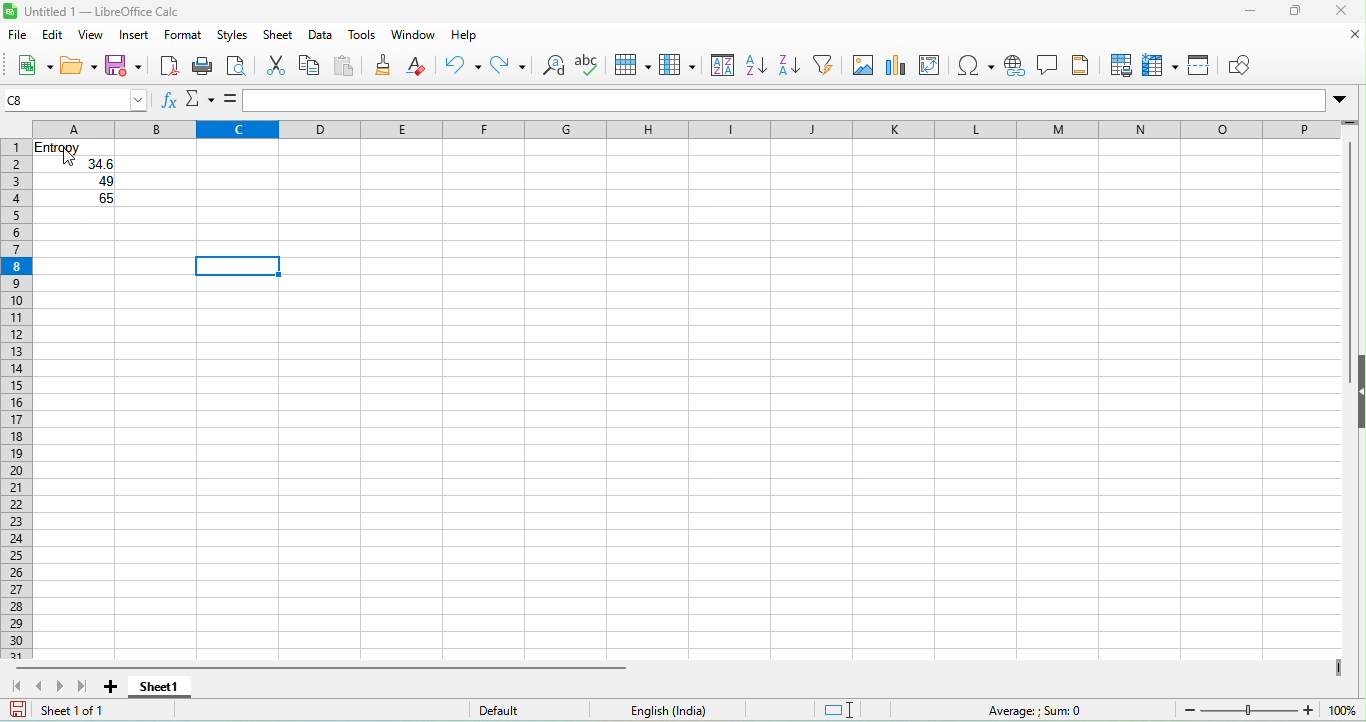 This screenshot has height=722, width=1366. Describe the element at coordinates (73, 99) in the screenshot. I see `name box (c8)` at that location.